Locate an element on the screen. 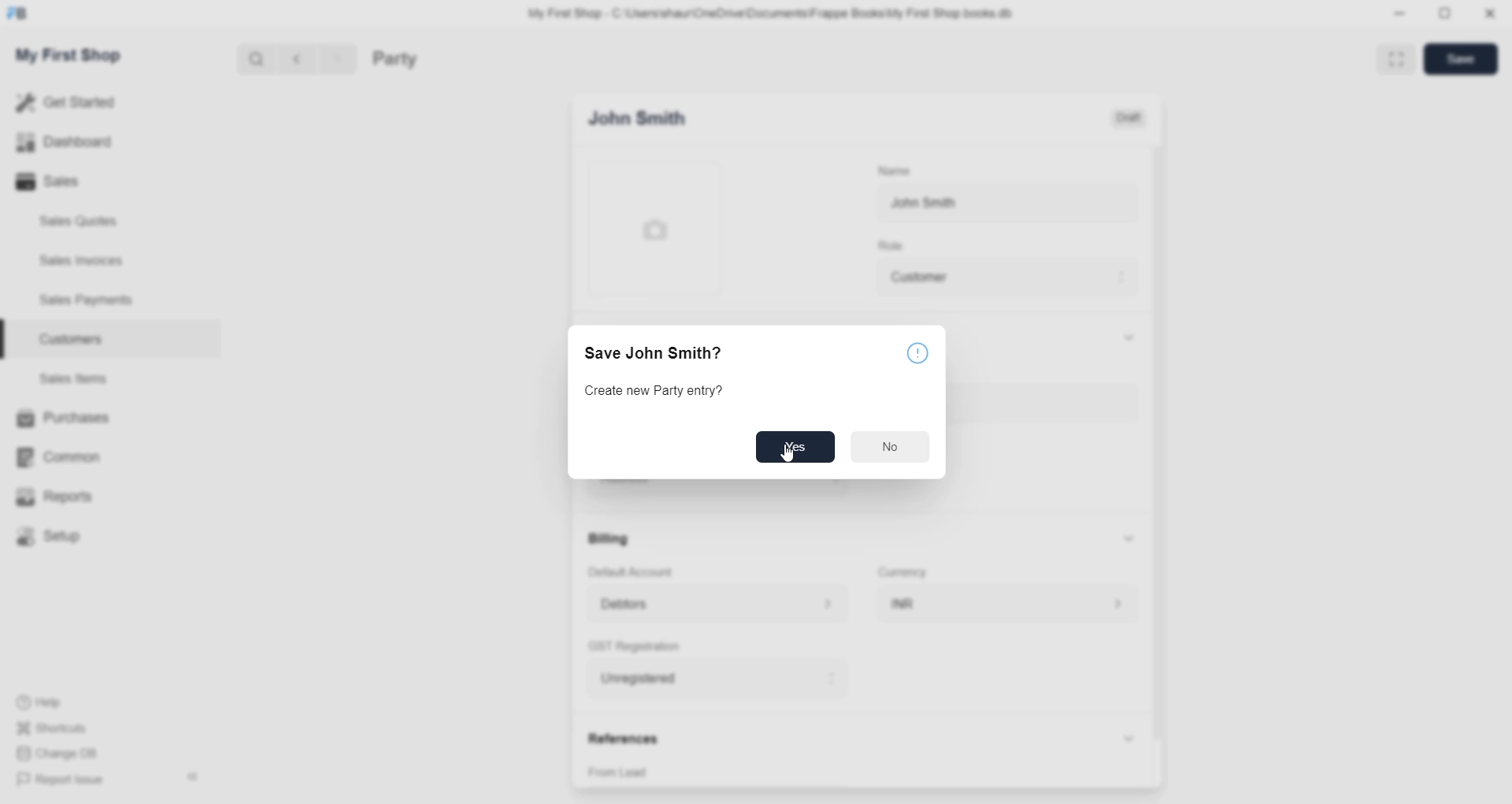 This screenshot has height=804, width=1512. Default account  is located at coordinates (693, 602).